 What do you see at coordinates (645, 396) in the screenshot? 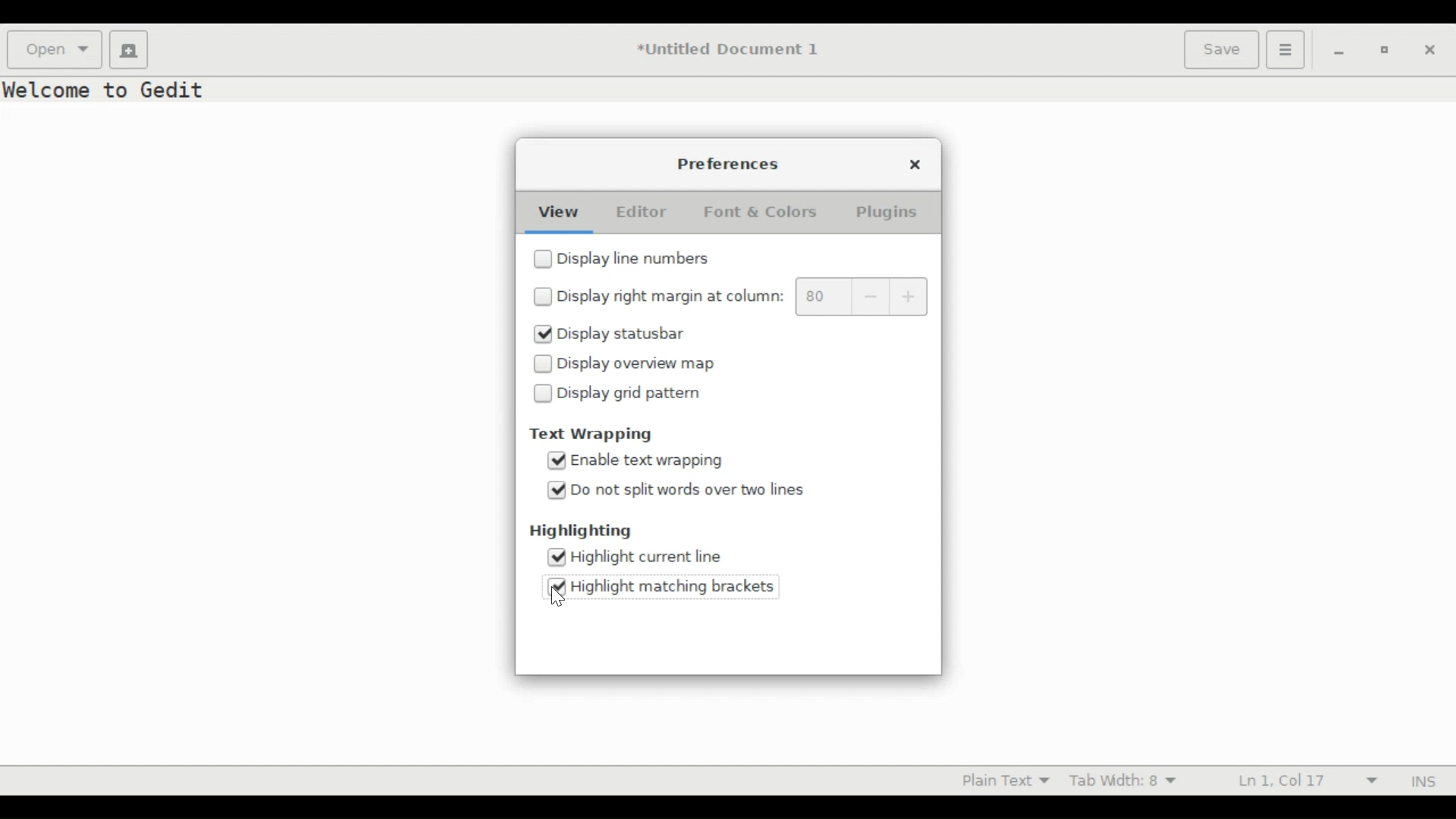
I see `Display grid pattern` at bounding box center [645, 396].